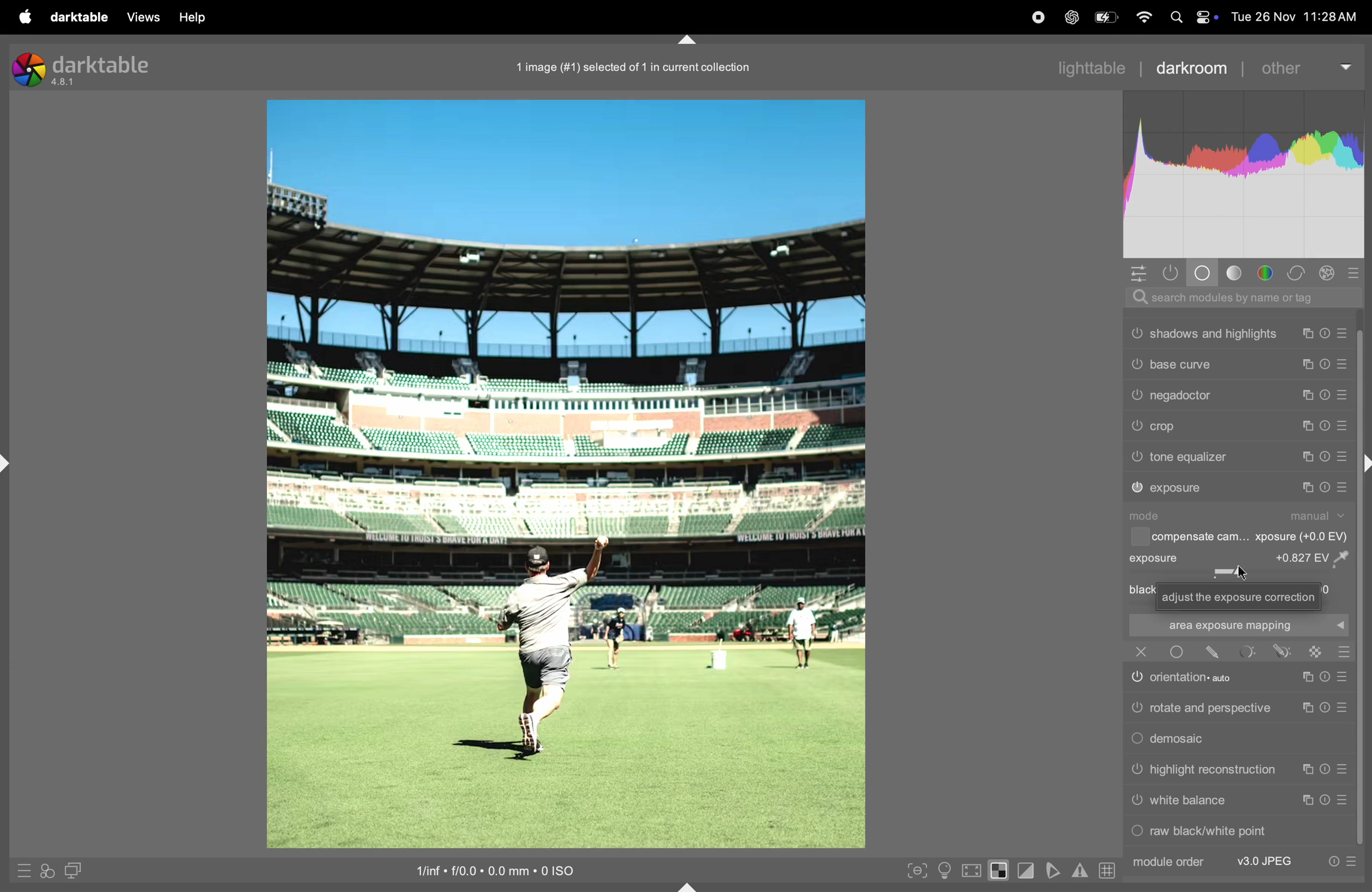 This screenshot has width=1372, height=892. What do you see at coordinates (1000, 870) in the screenshot?
I see `toggle indication expression high exposure` at bounding box center [1000, 870].